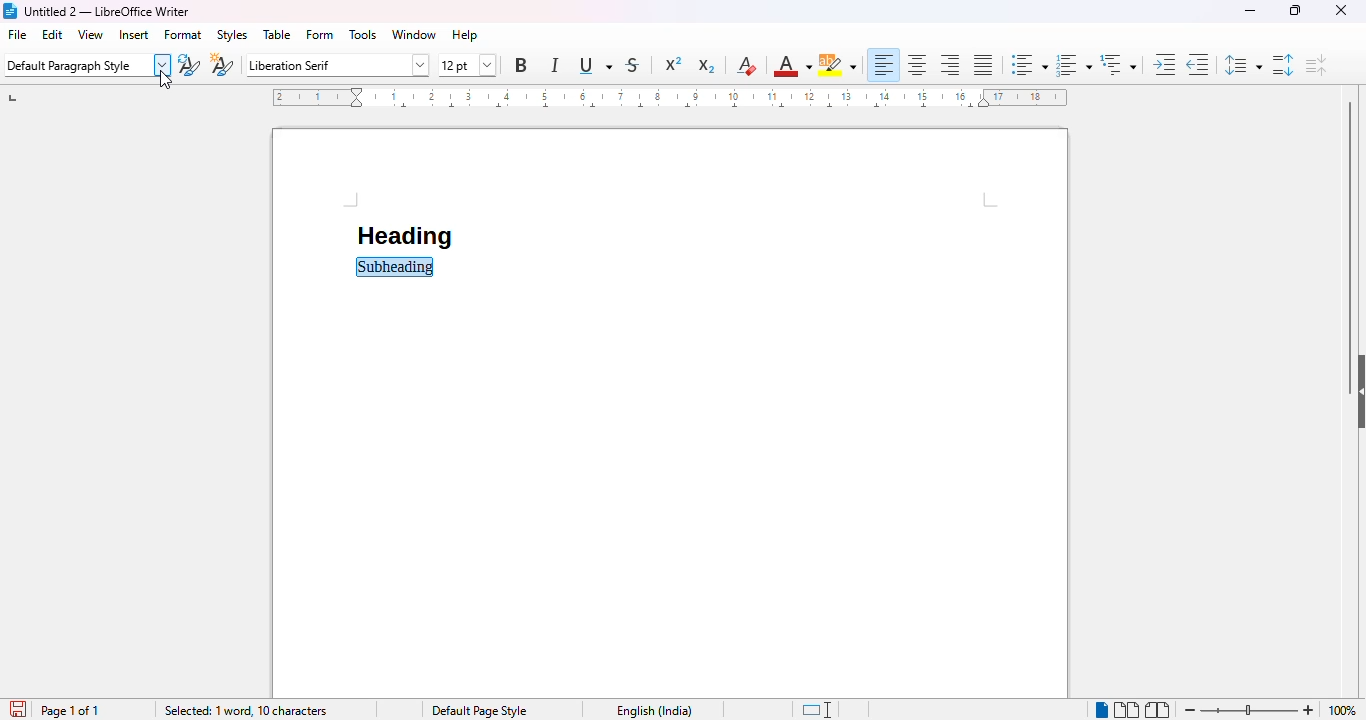 The image size is (1366, 720). What do you see at coordinates (1190, 709) in the screenshot?
I see `zoom out` at bounding box center [1190, 709].